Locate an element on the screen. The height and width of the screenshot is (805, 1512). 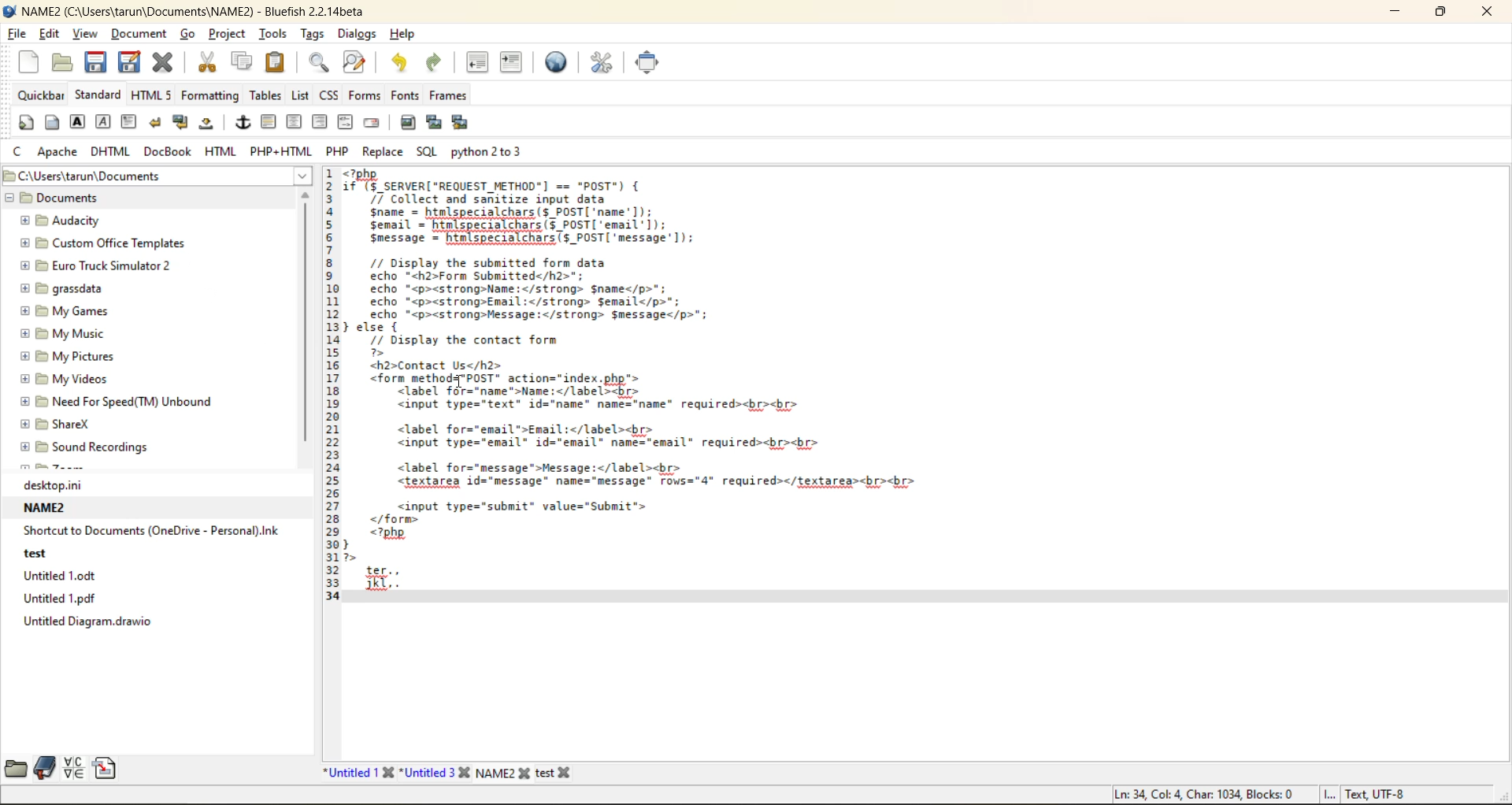
custom office template is located at coordinates (98, 243).